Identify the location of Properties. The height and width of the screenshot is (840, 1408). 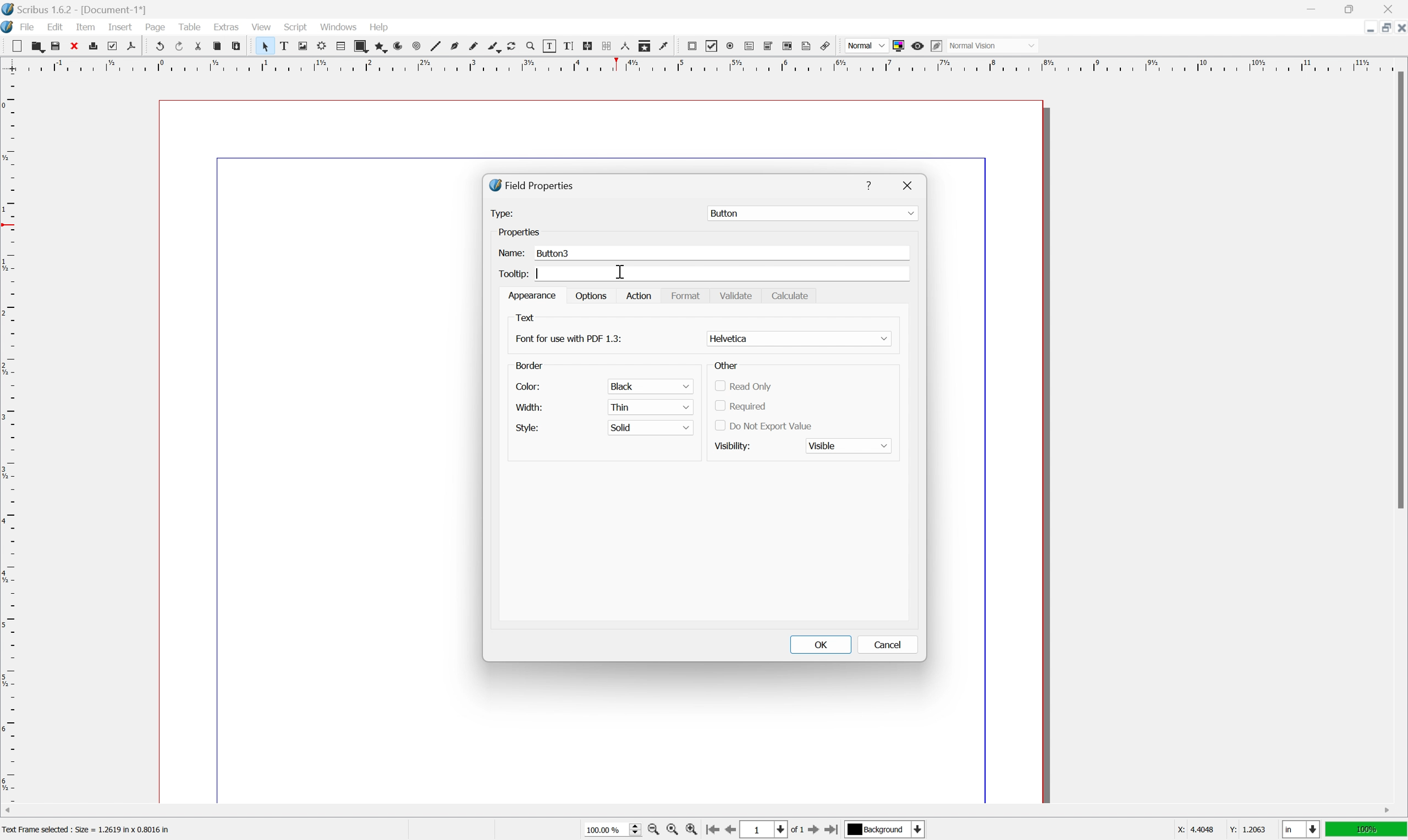
(543, 231).